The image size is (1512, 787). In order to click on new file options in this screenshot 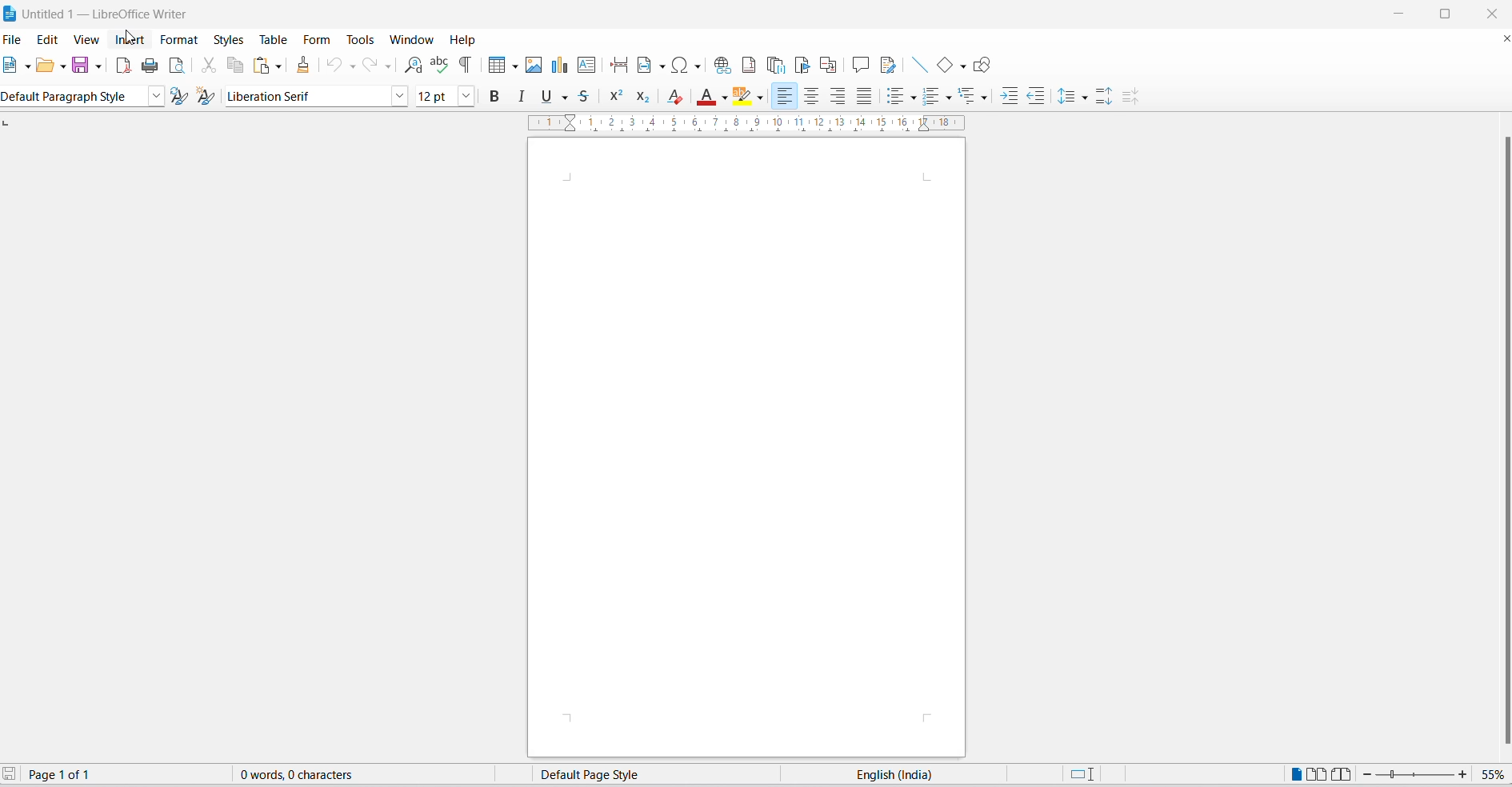, I will do `click(27, 66)`.